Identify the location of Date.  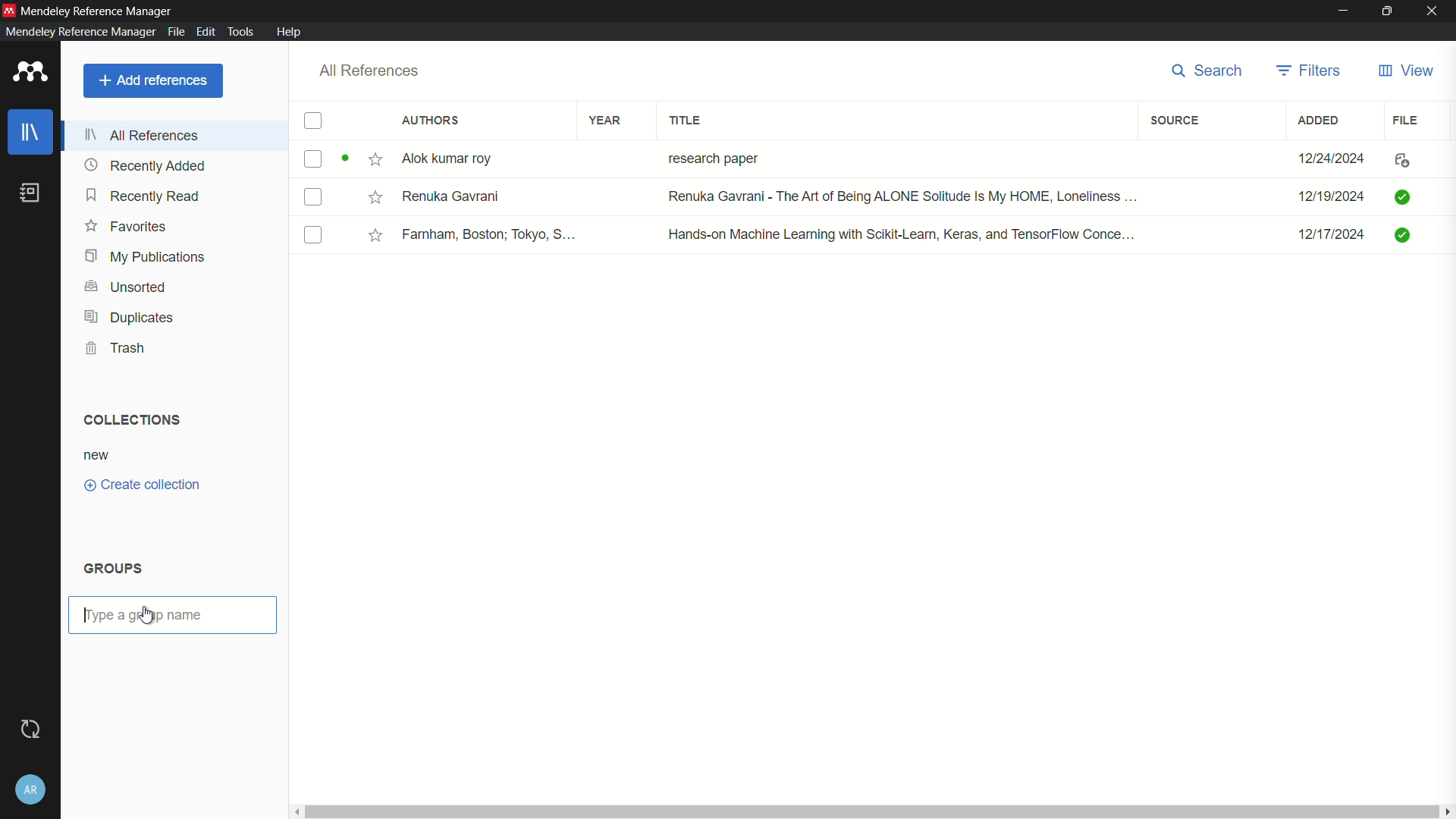
(1329, 197).